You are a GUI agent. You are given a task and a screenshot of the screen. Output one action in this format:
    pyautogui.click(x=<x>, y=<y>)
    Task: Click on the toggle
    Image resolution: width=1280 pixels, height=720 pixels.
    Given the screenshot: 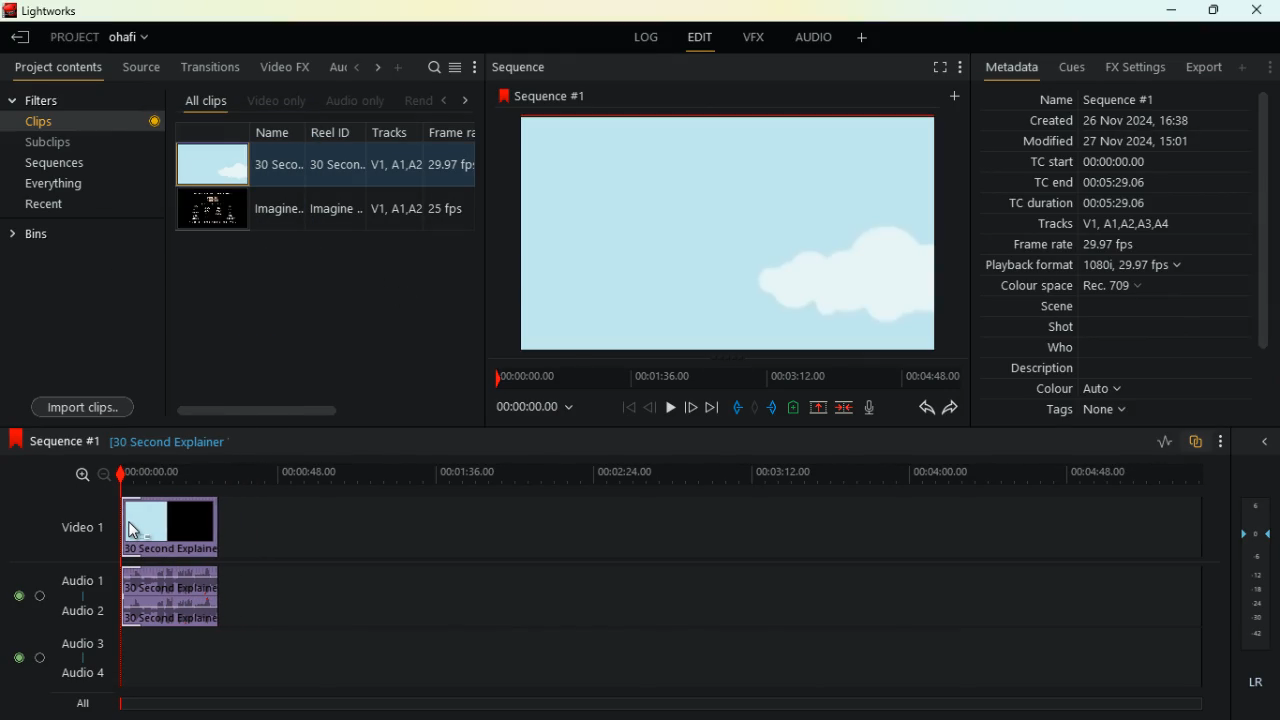 What is the action you would take?
    pyautogui.click(x=17, y=656)
    